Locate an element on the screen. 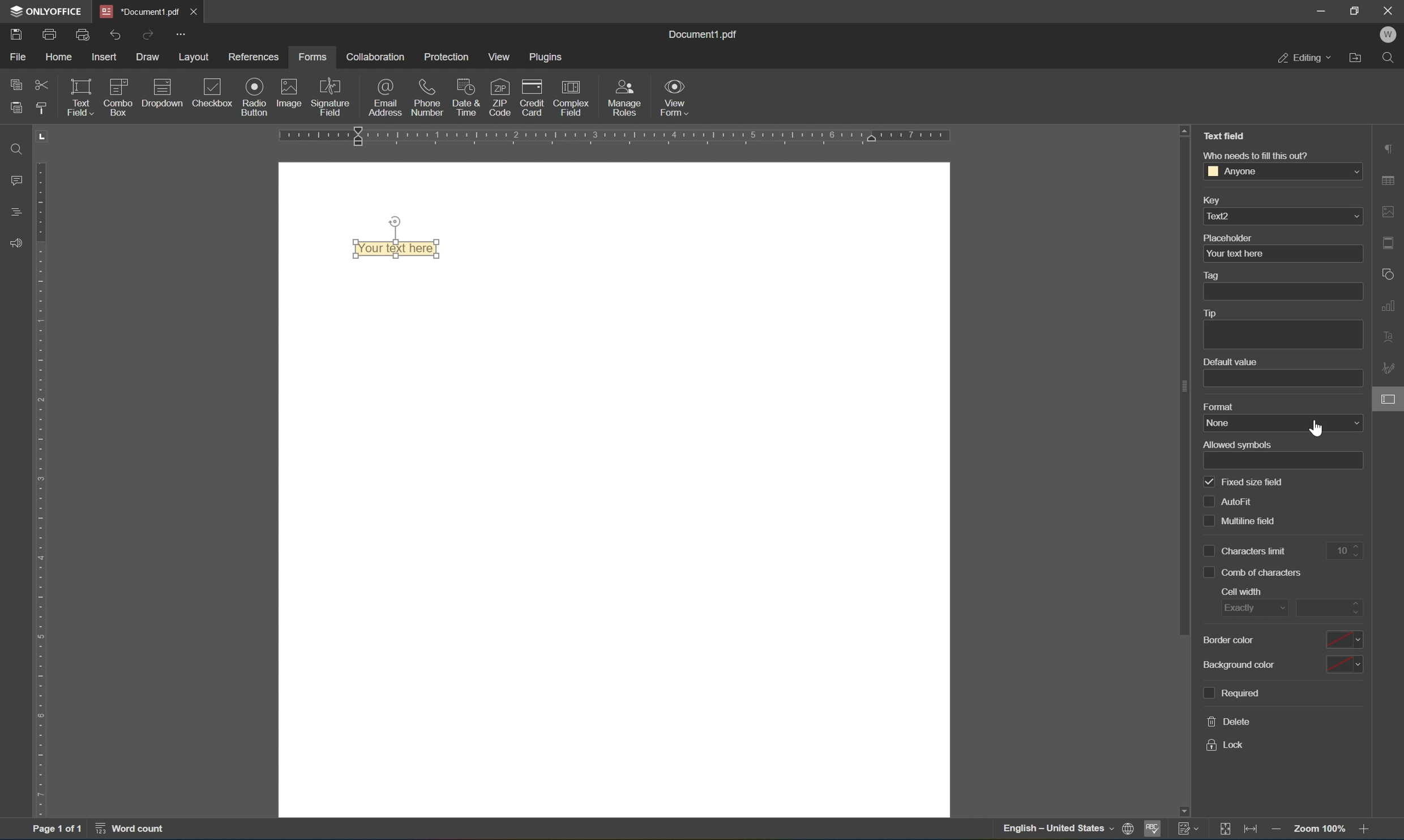 This screenshot has height=840, width=1404. color is located at coordinates (1345, 639).